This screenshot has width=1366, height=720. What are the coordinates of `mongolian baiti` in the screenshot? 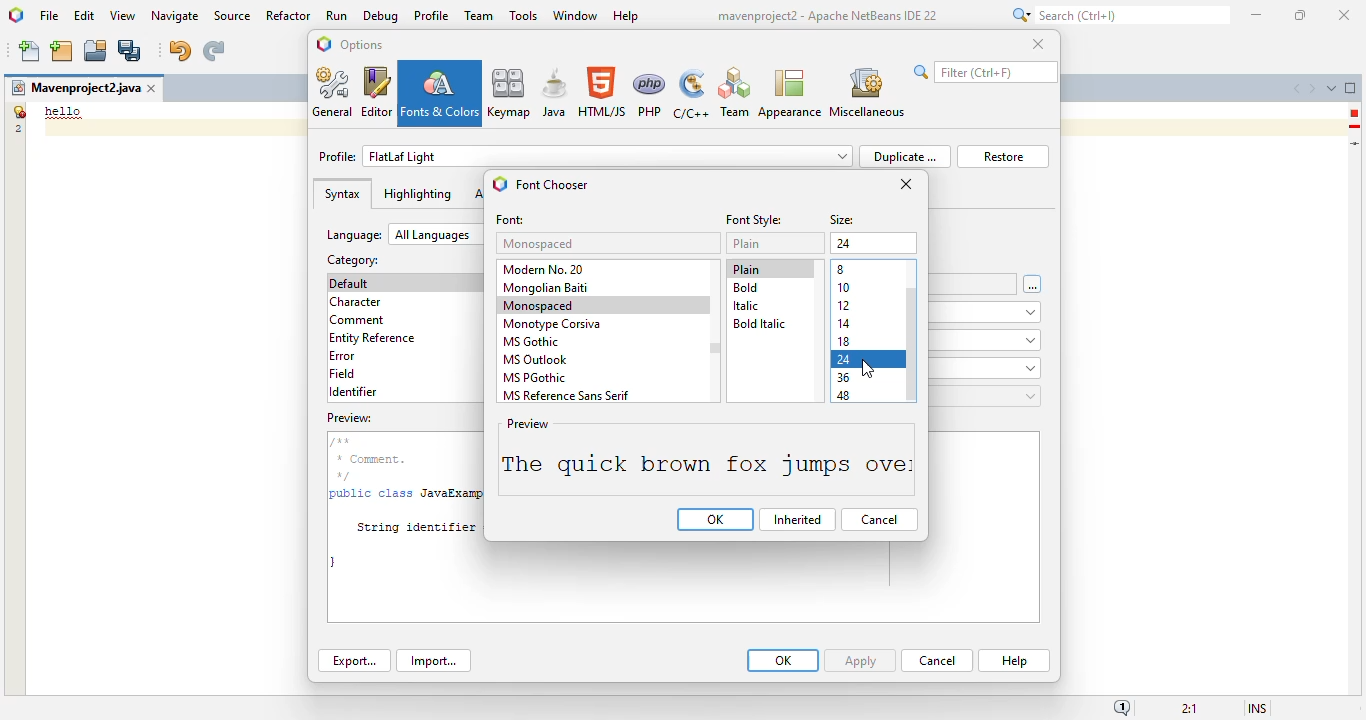 It's located at (545, 288).